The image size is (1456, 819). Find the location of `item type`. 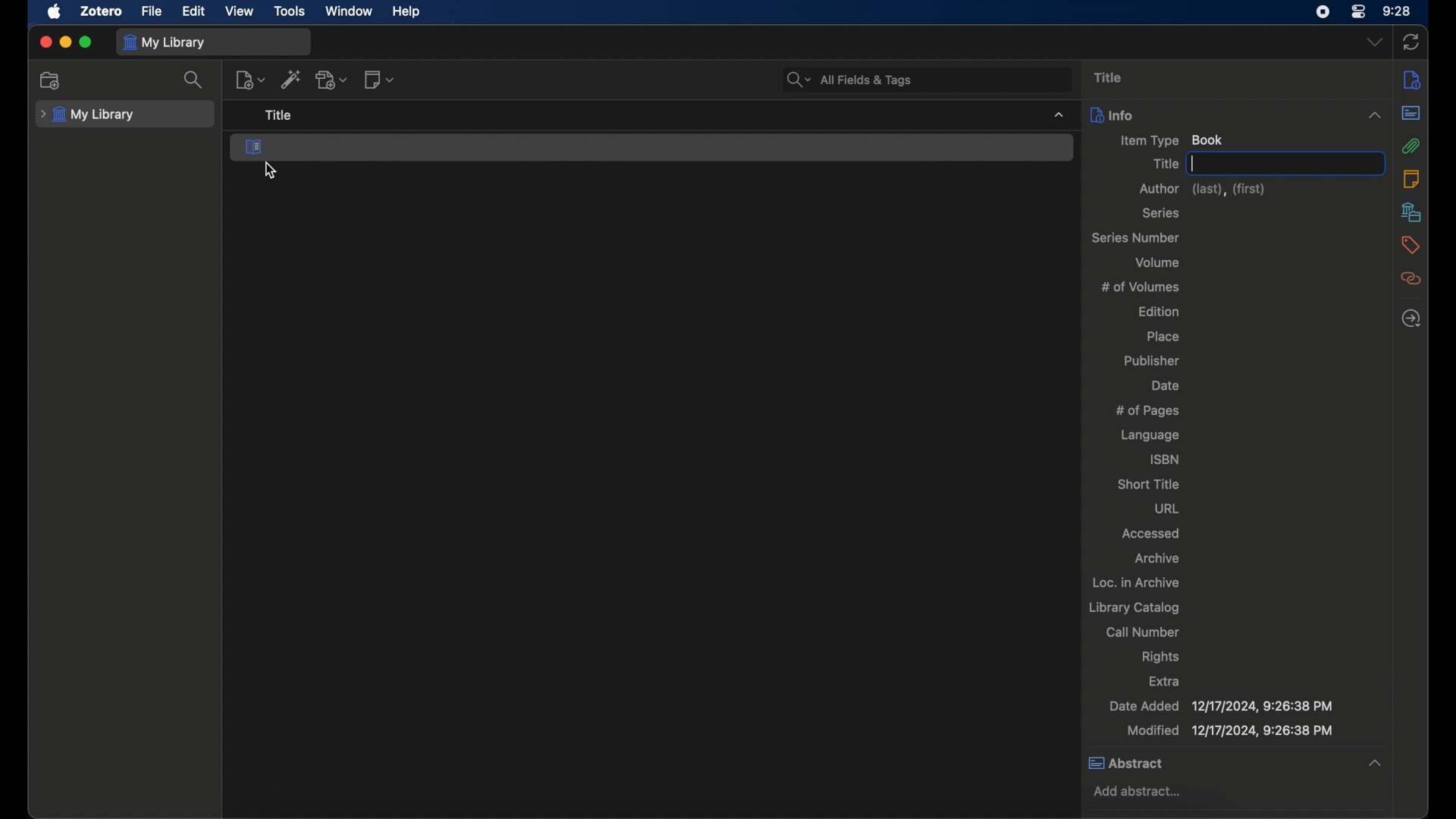

item type is located at coordinates (1174, 140).